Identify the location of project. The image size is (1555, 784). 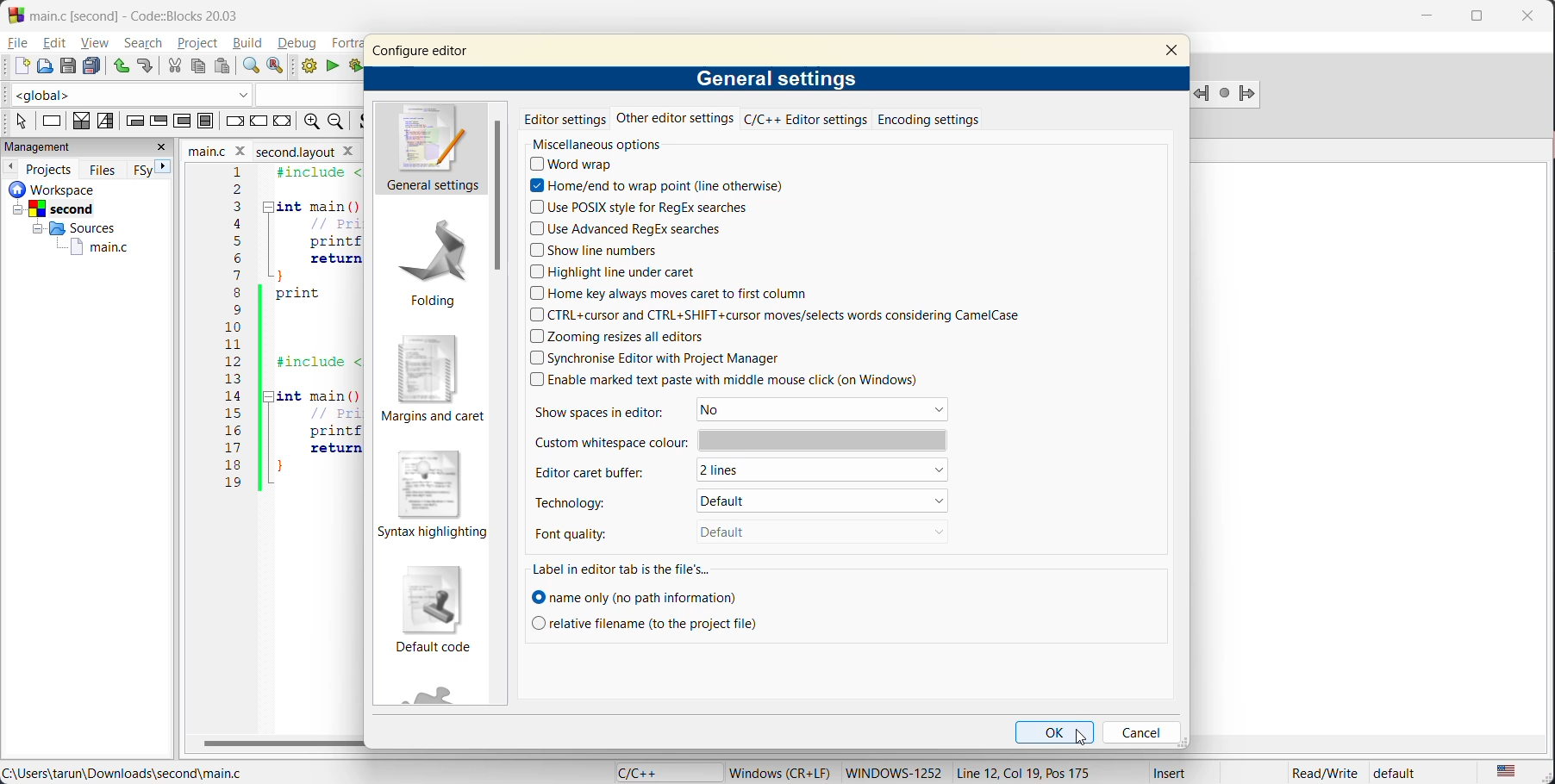
(200, 45).